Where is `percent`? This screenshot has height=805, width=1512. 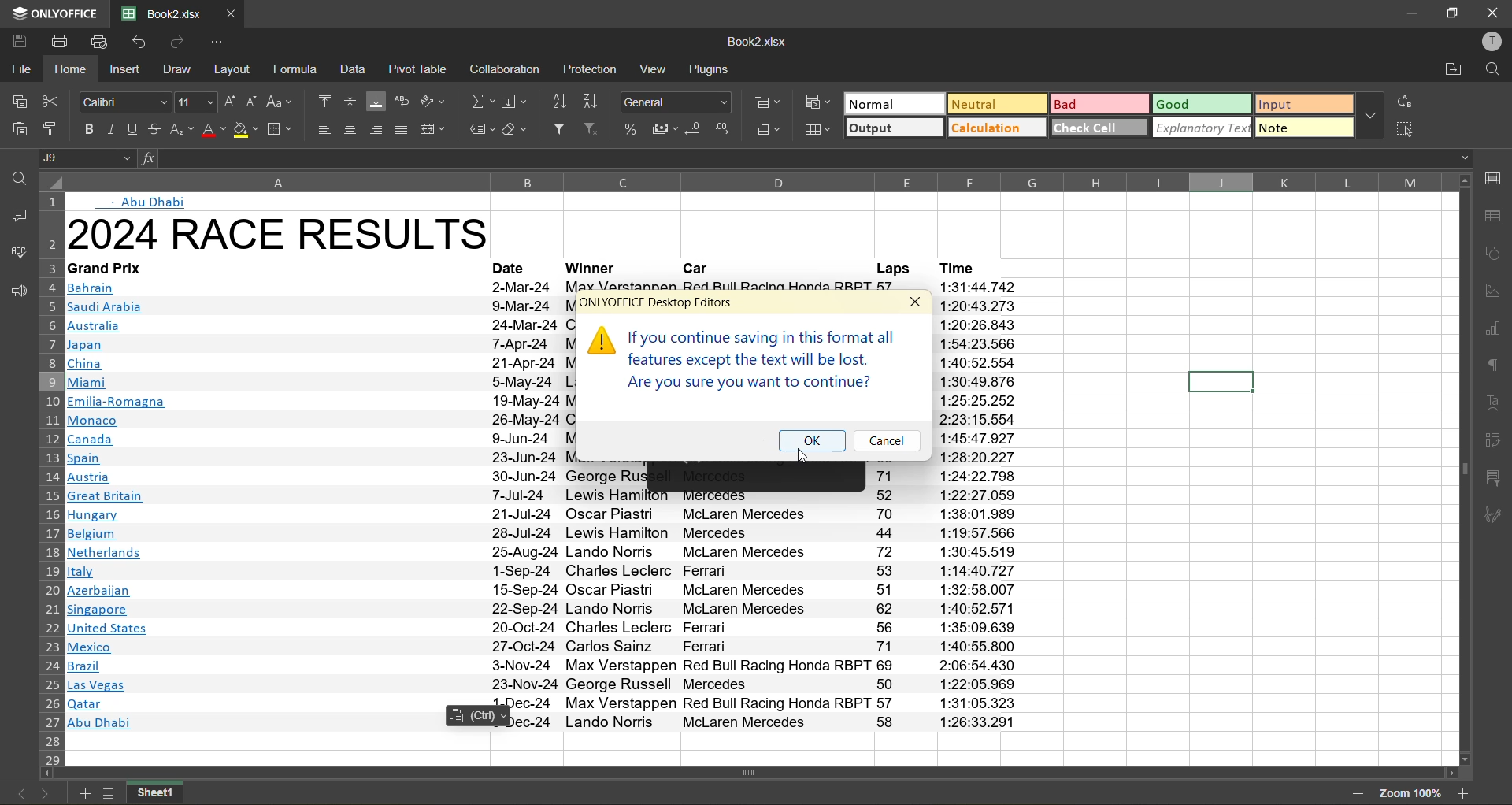
percent is located at coordinates (628, 131).